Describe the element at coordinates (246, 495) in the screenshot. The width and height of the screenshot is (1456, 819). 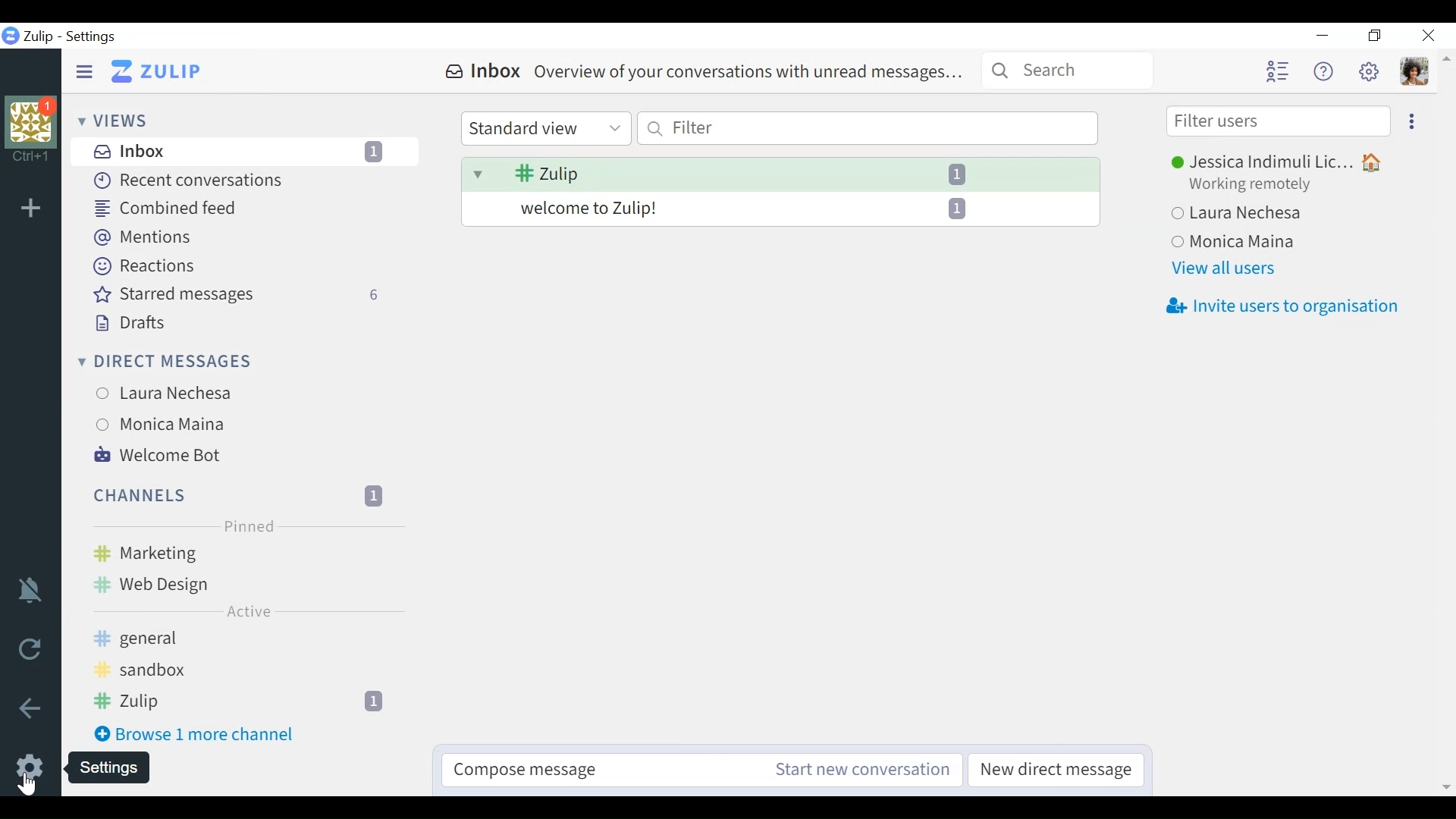
I see `Channel` at that location.